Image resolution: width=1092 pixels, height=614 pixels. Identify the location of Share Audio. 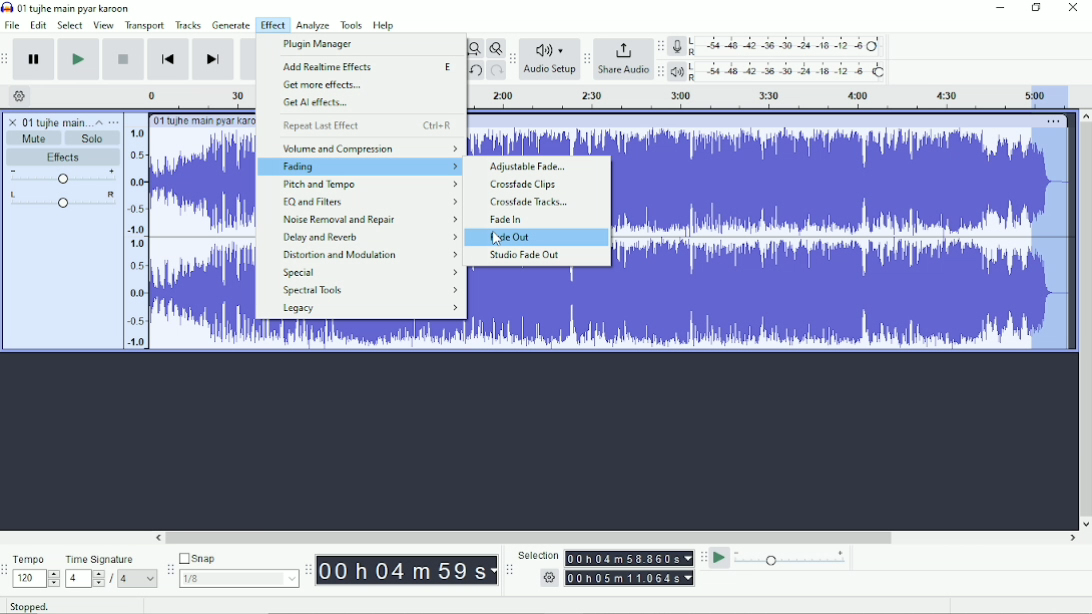
(624, 58).